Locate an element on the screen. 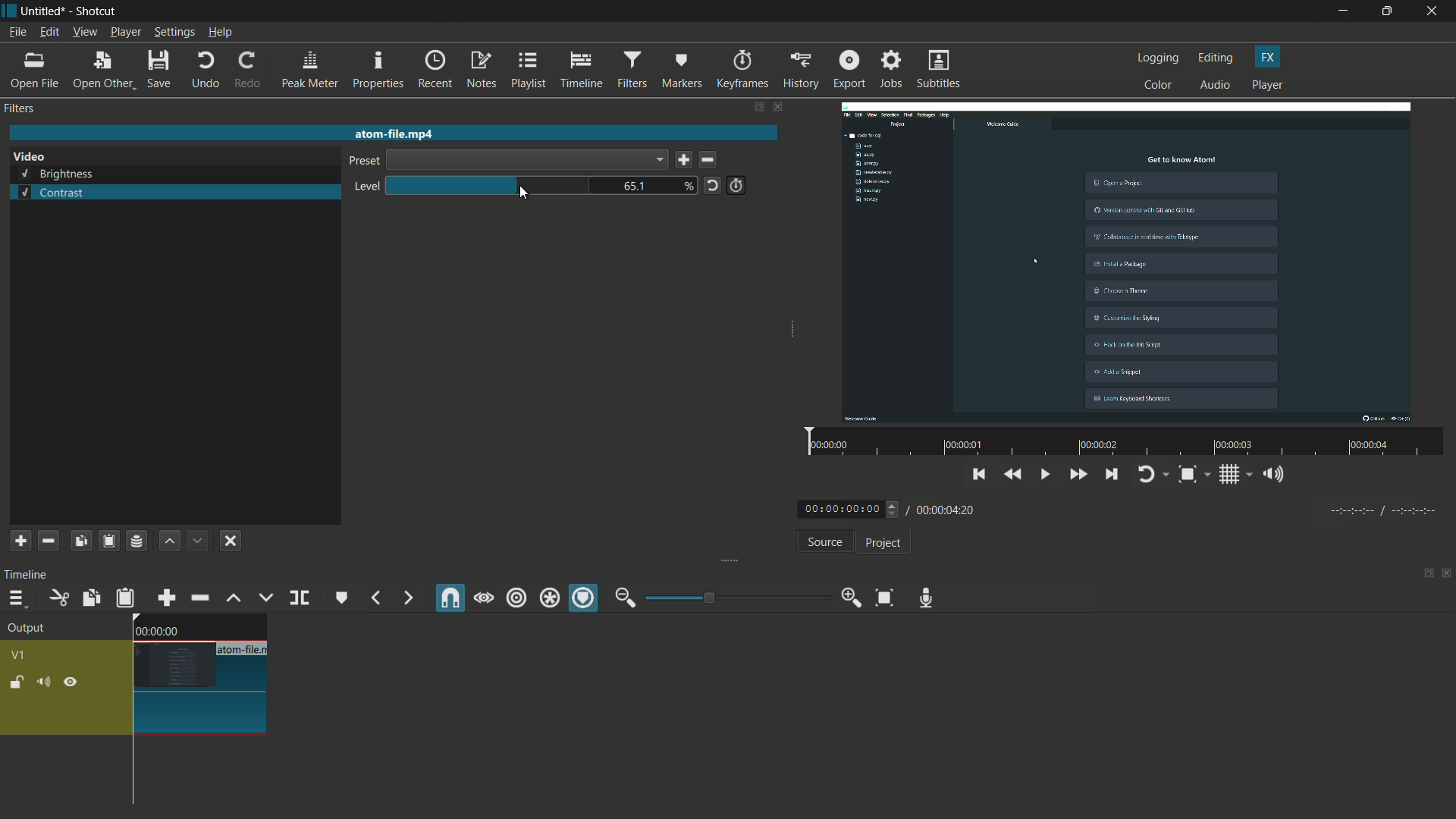 This screenshot has height=819, width=1456. notes is located at coordinates (483, 71).